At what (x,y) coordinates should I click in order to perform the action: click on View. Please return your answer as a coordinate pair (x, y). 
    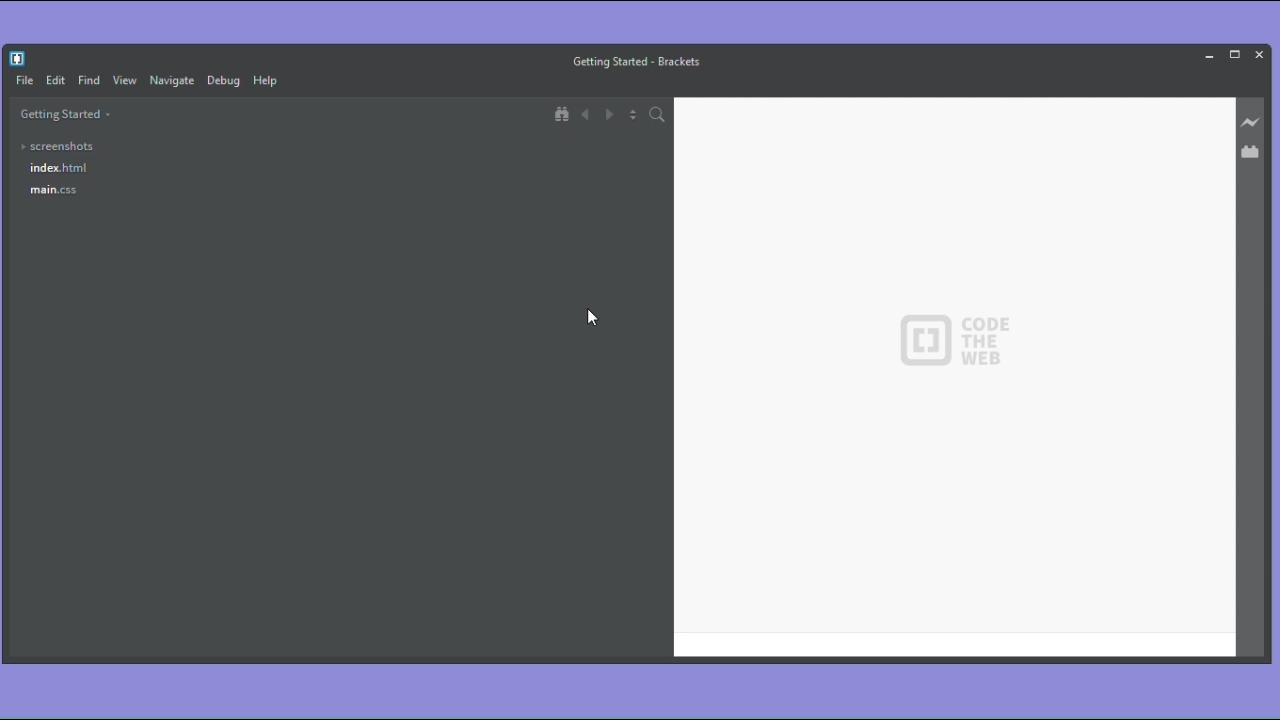
    Looking at the image, I should click on (125, 80).